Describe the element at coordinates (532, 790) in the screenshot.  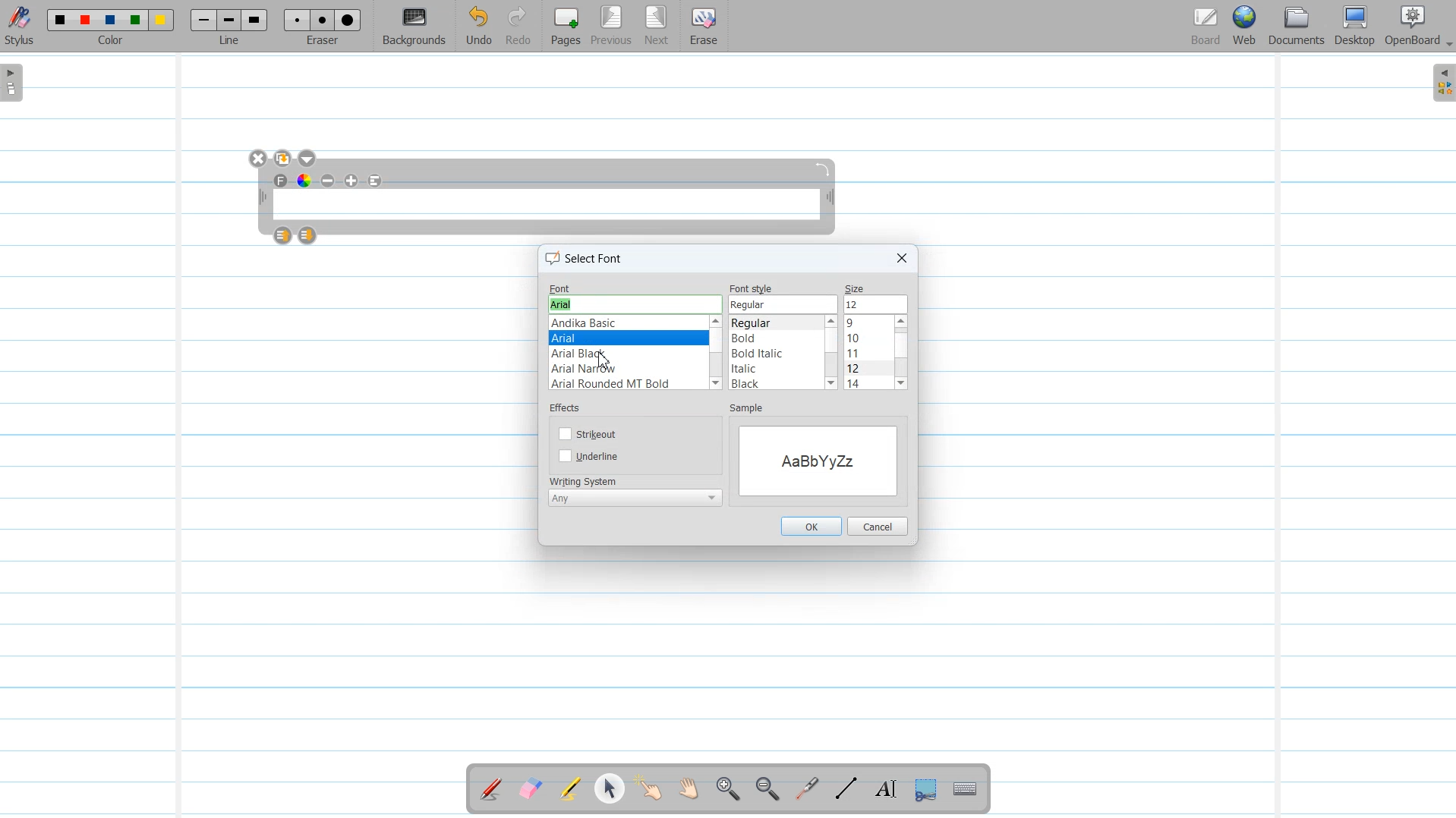
I see `Erase Annotation` at that location.